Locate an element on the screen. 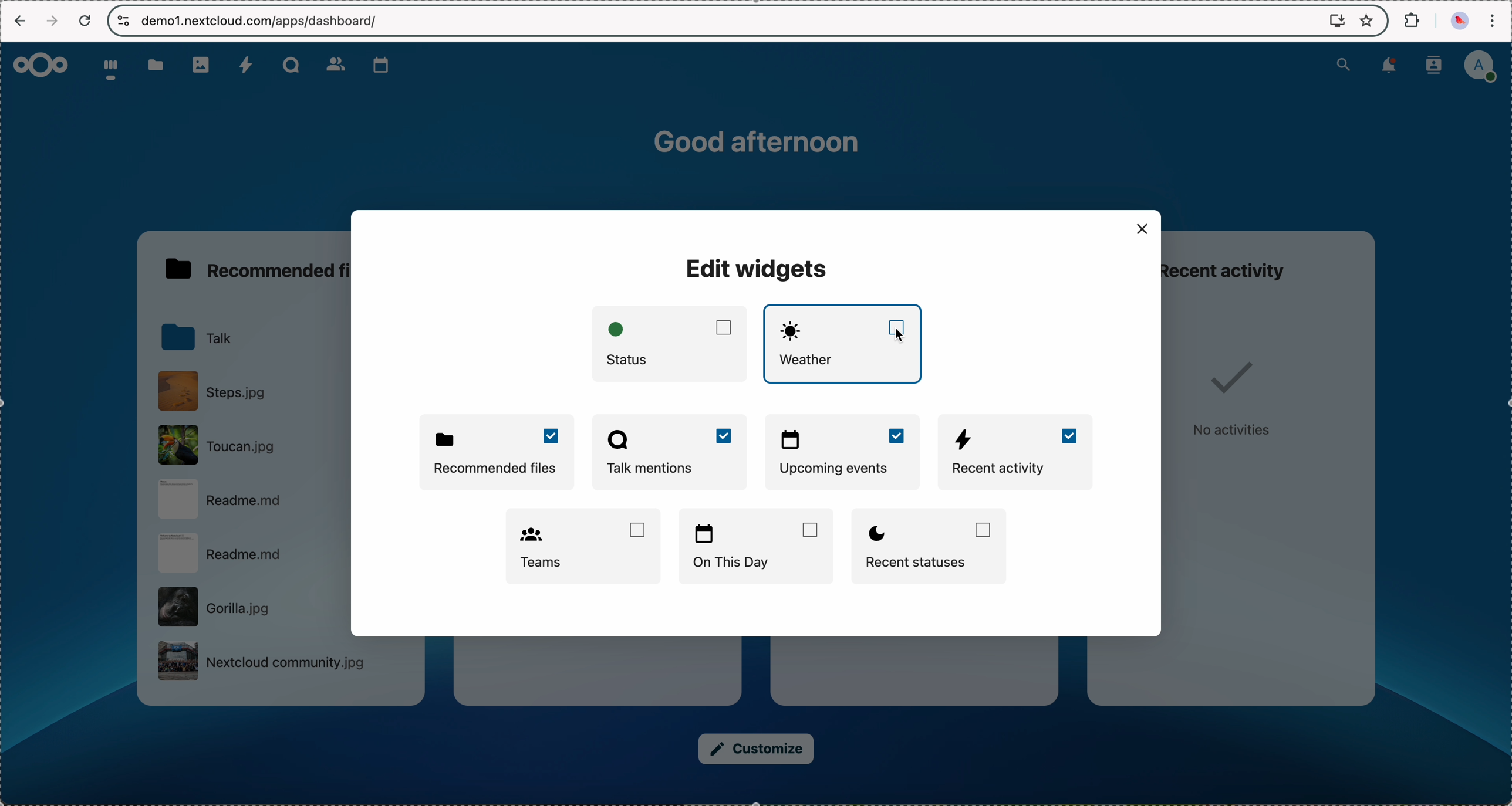 The width and height of the screenshot is (1512, 806). enable recent activity is located at coordinates (1018, 453).